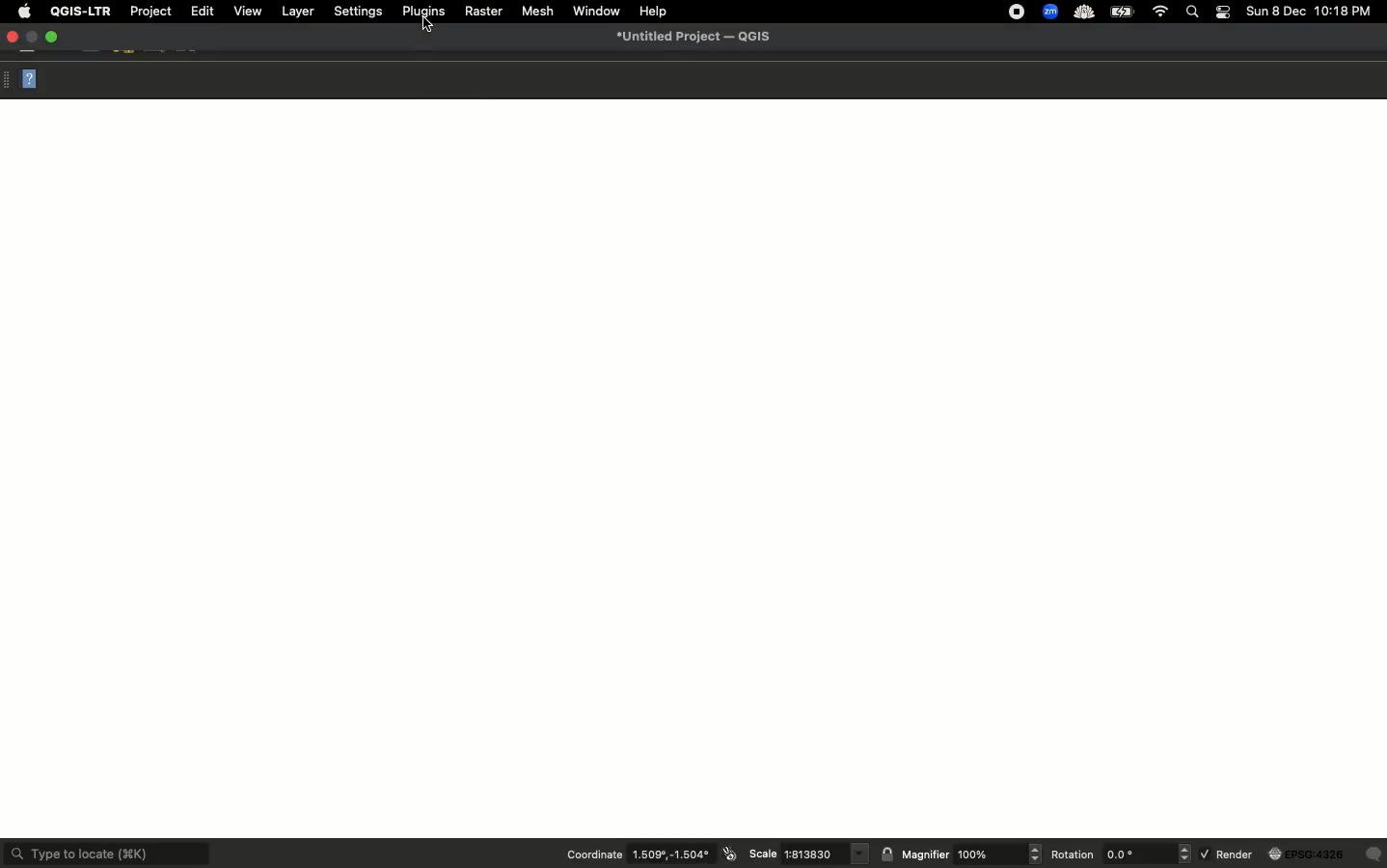 The image size is (1387, 868). Describe the element at coordinates (1162, 12) in the screenshot. I see `Internet` at that location.